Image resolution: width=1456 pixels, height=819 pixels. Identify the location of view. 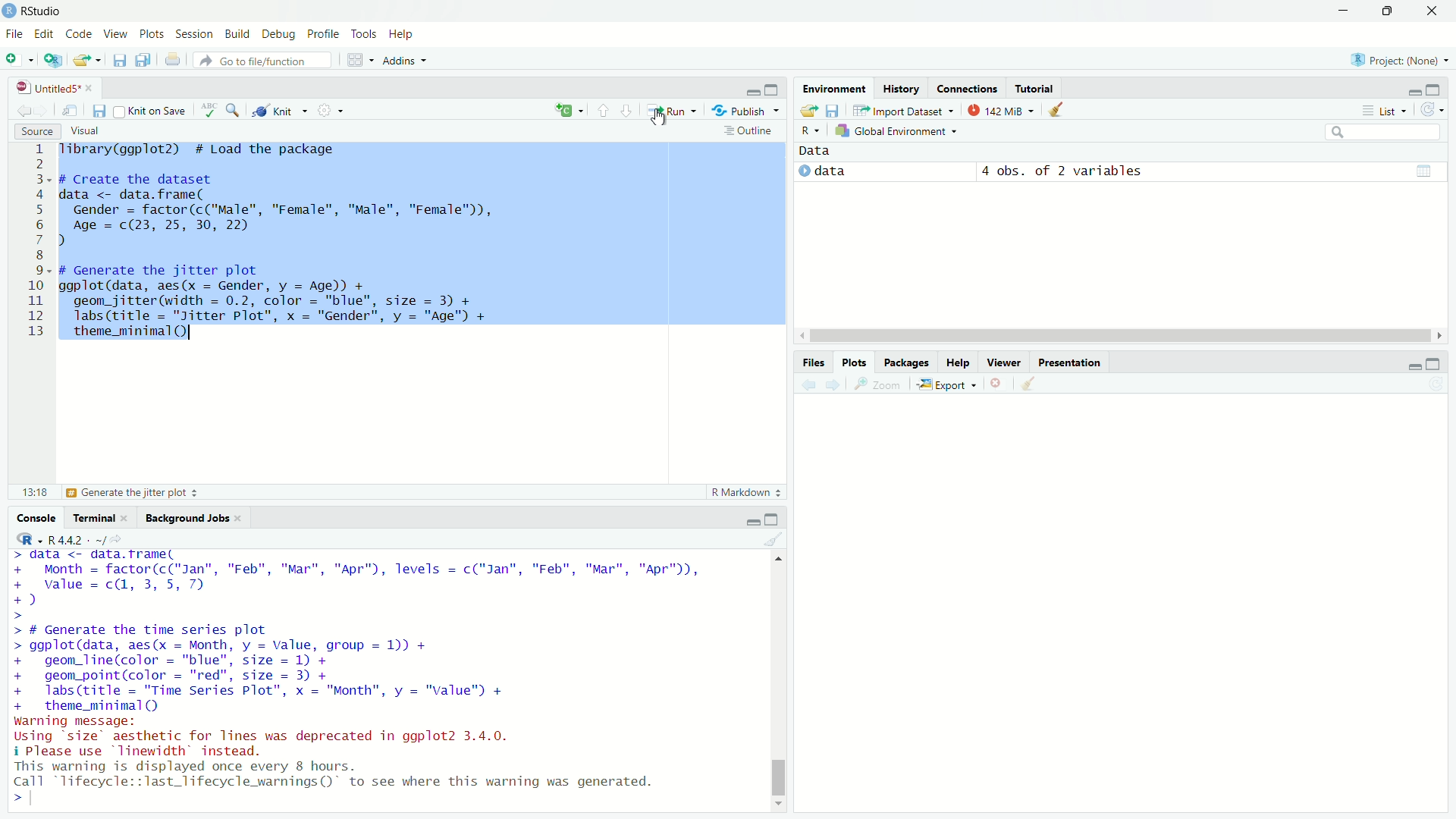
(112, 33).